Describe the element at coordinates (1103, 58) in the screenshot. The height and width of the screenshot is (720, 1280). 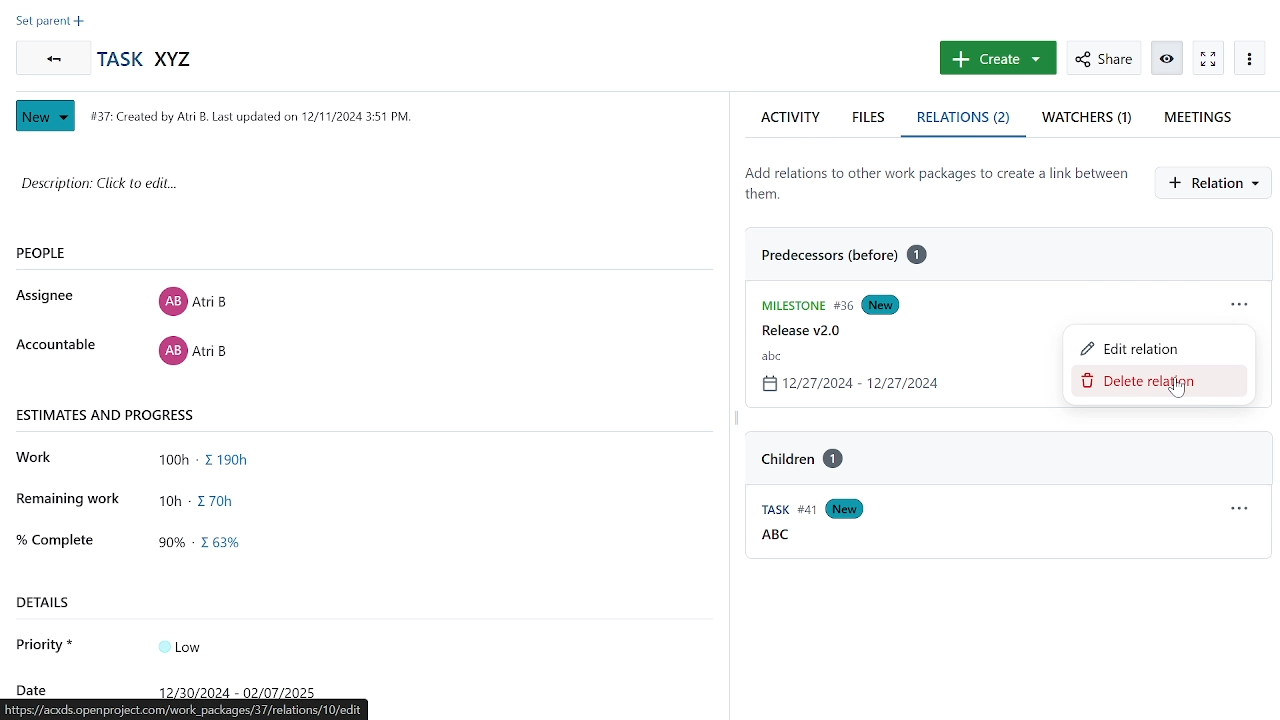
I see `share` at that location.